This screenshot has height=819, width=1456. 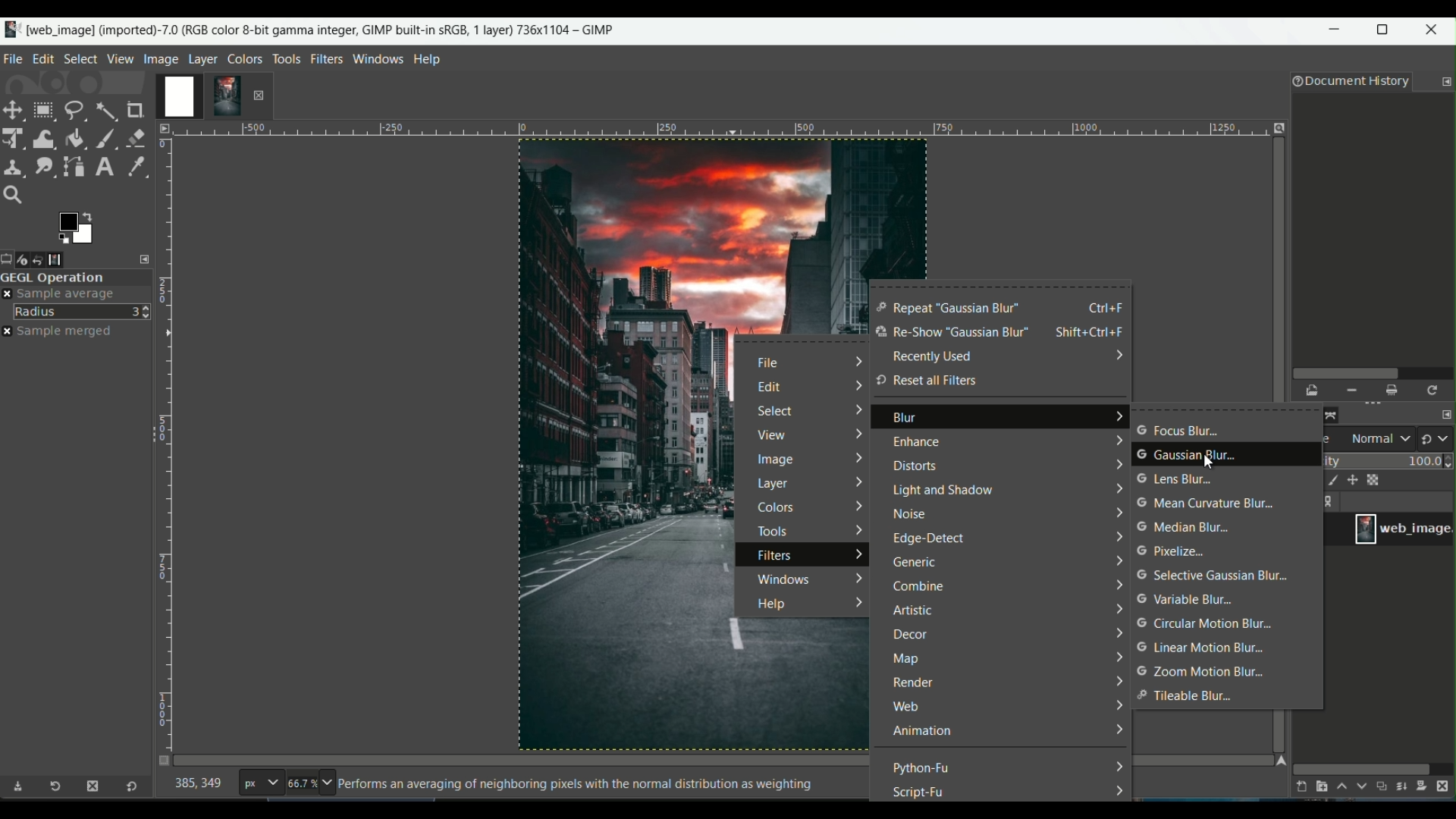 I want to click on windows, so click(x=781, y=578).